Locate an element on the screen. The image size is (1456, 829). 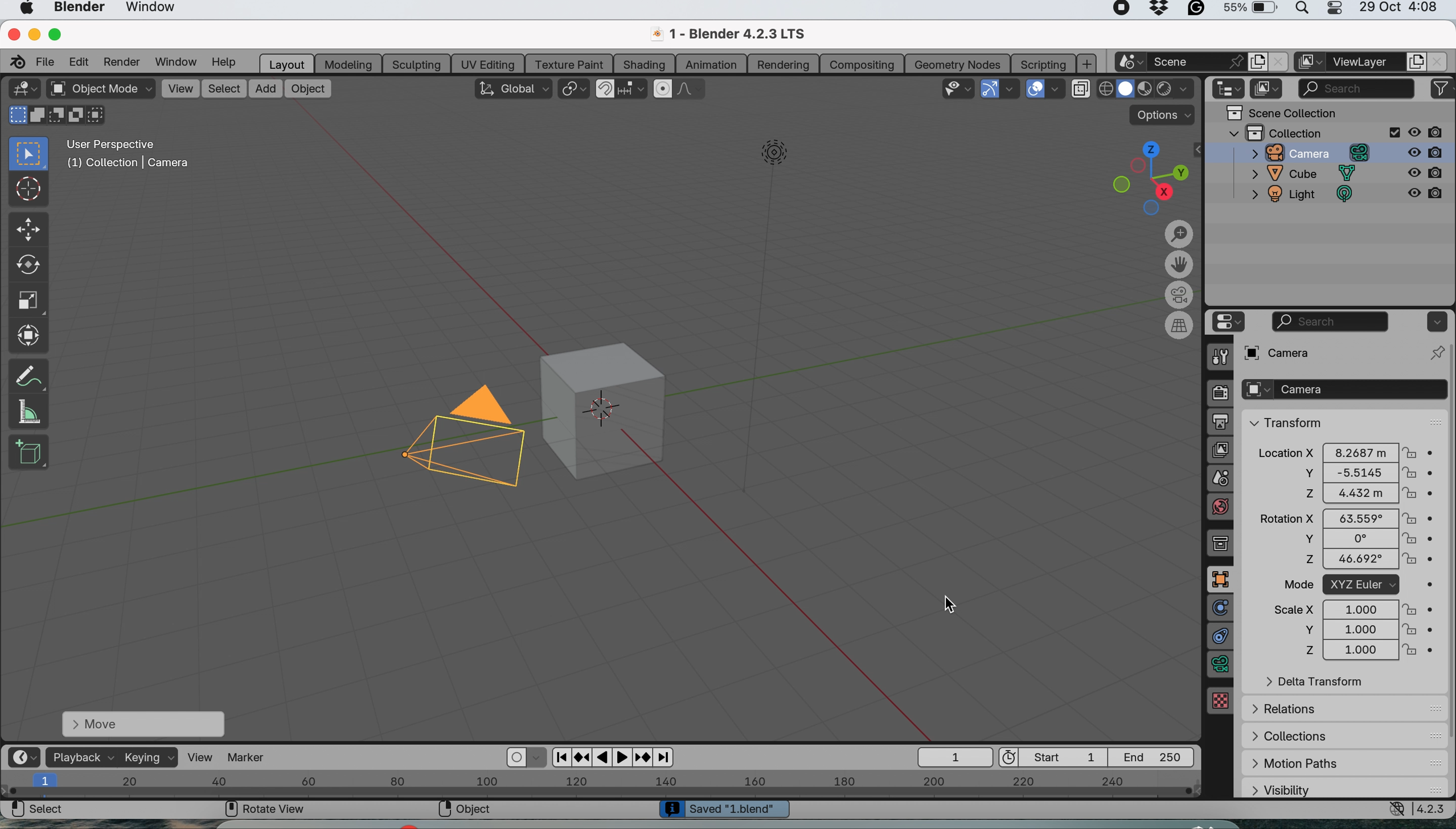
view is located at coordinates (200, 756).